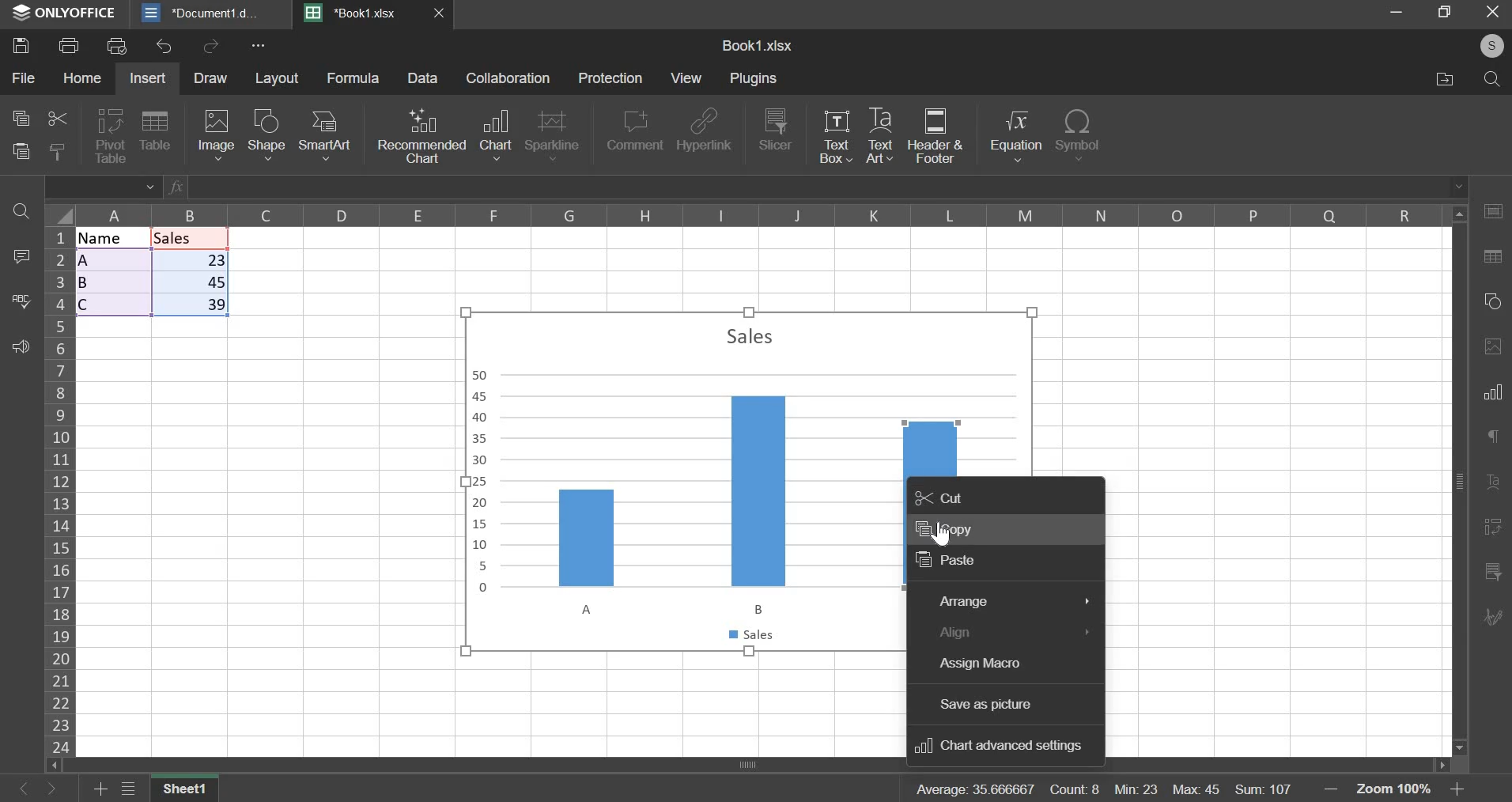  I want to click on Bar/Column Chart Tool, so click(1493, 392).